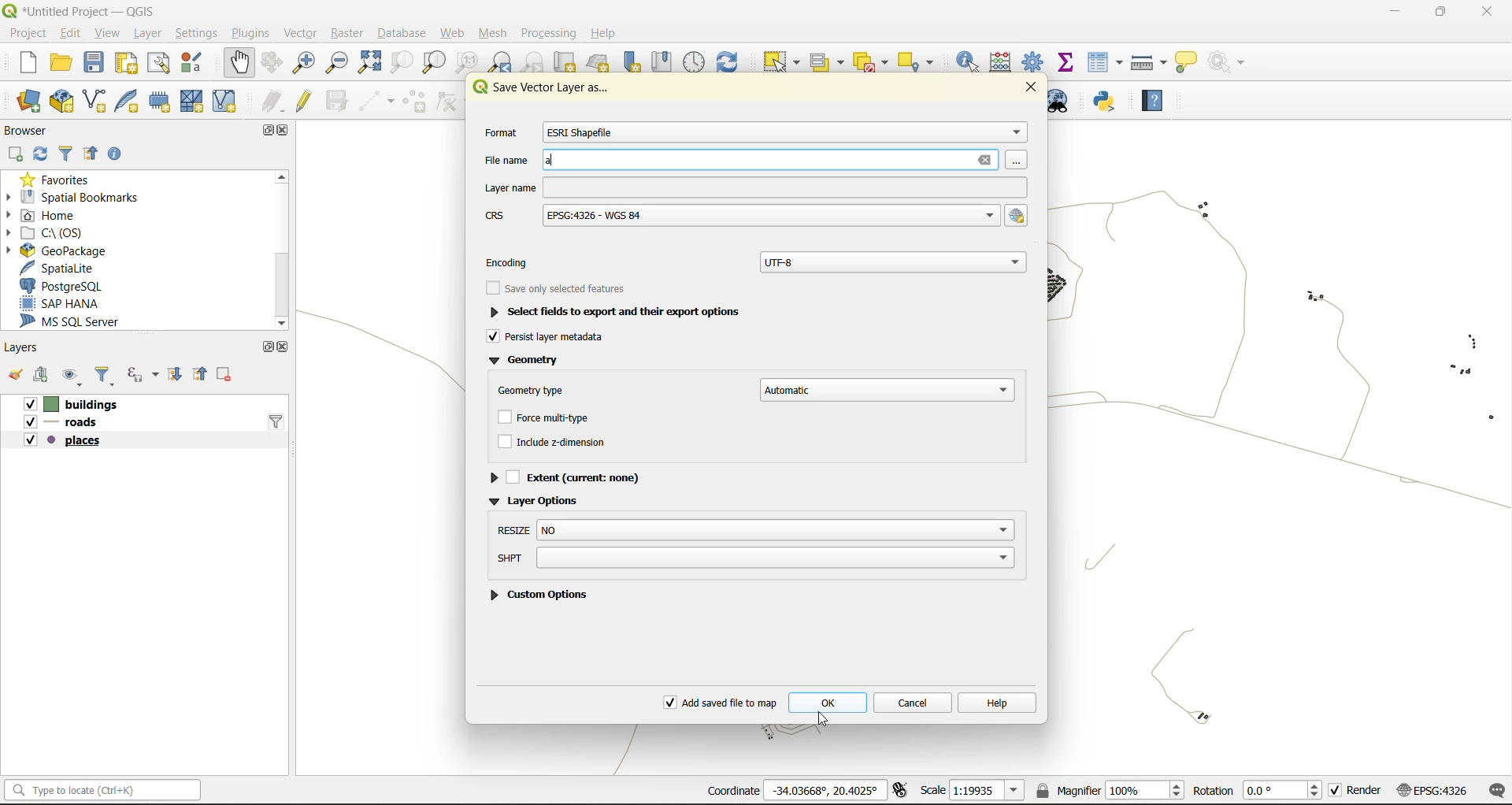  What do you see at coordinates (748, 161) in the screenshot?
I see `File name` at bounding box center [748, 161].